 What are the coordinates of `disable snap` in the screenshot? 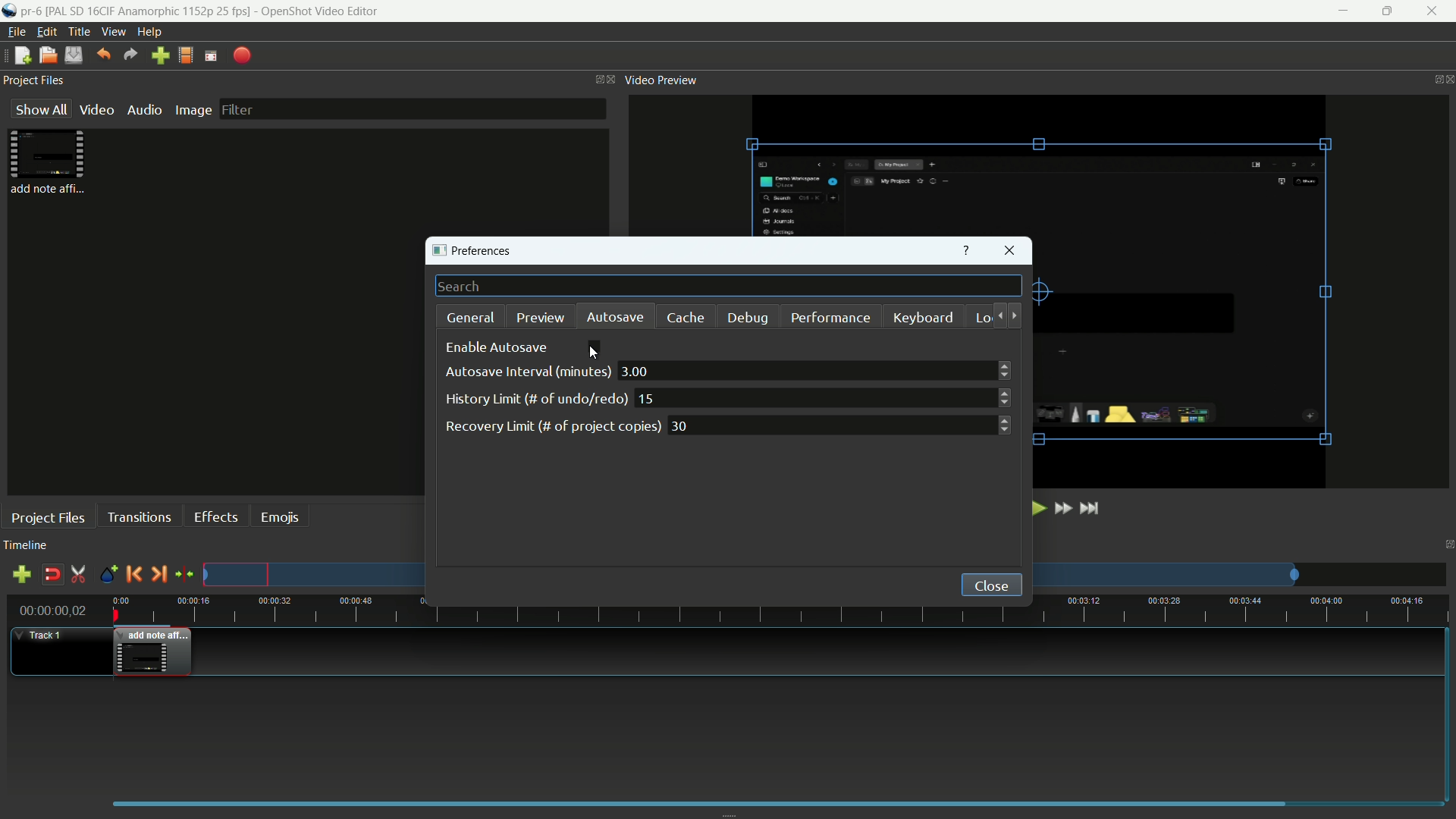 It's located at (52, 574).